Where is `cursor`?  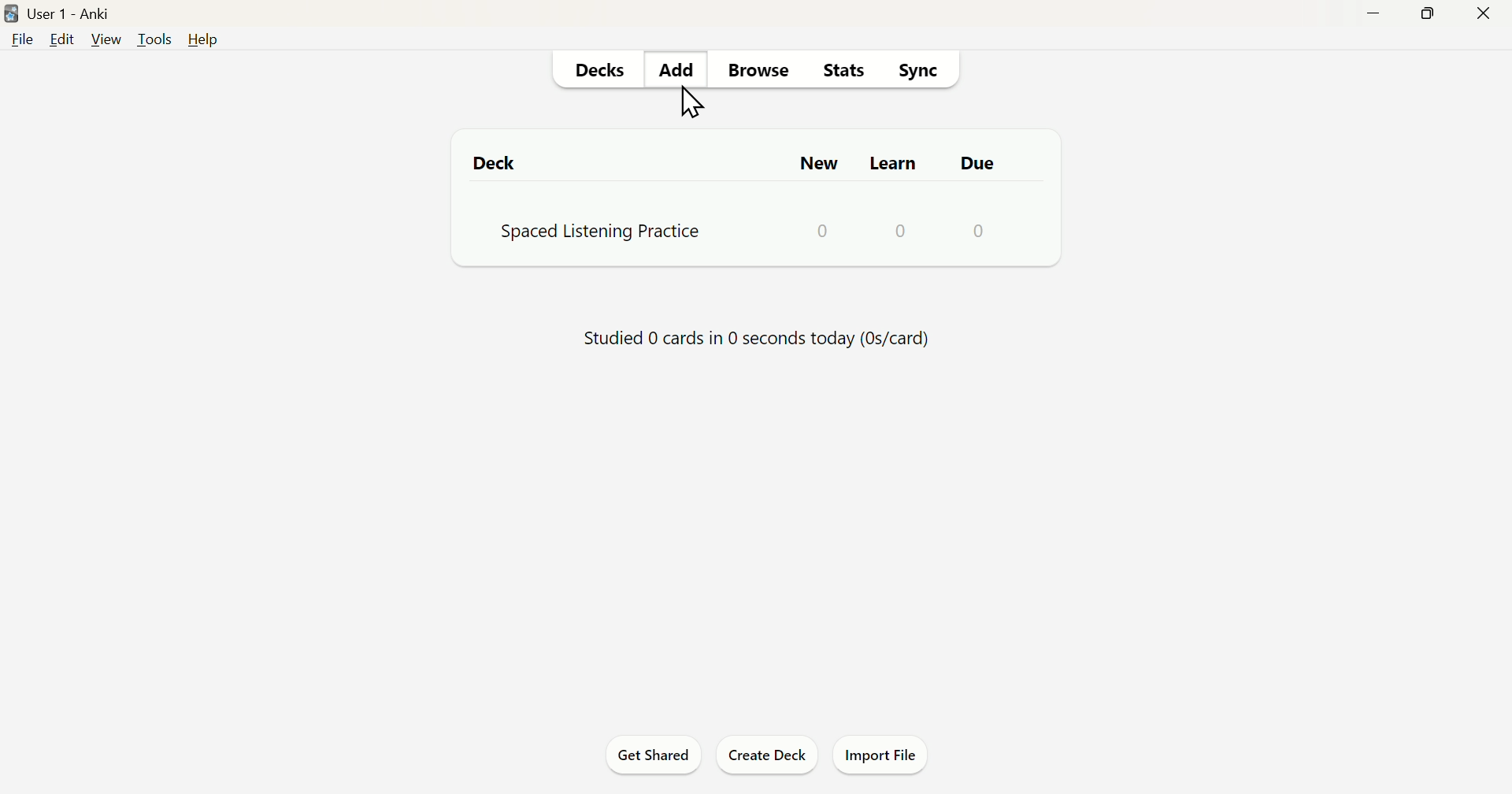
cursor is located at coordinates (697, 102).